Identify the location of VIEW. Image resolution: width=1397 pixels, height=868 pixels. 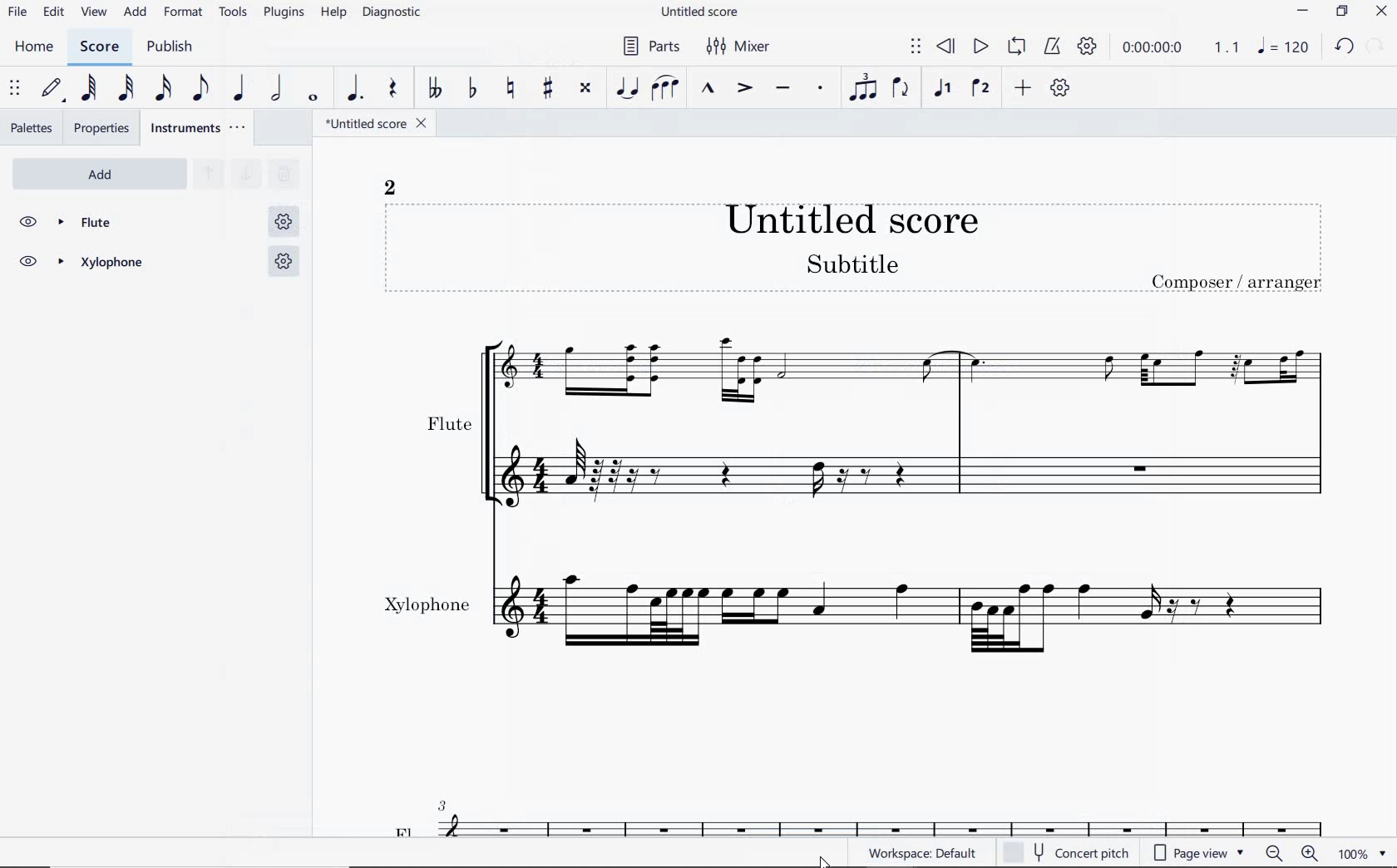
(95, 12).